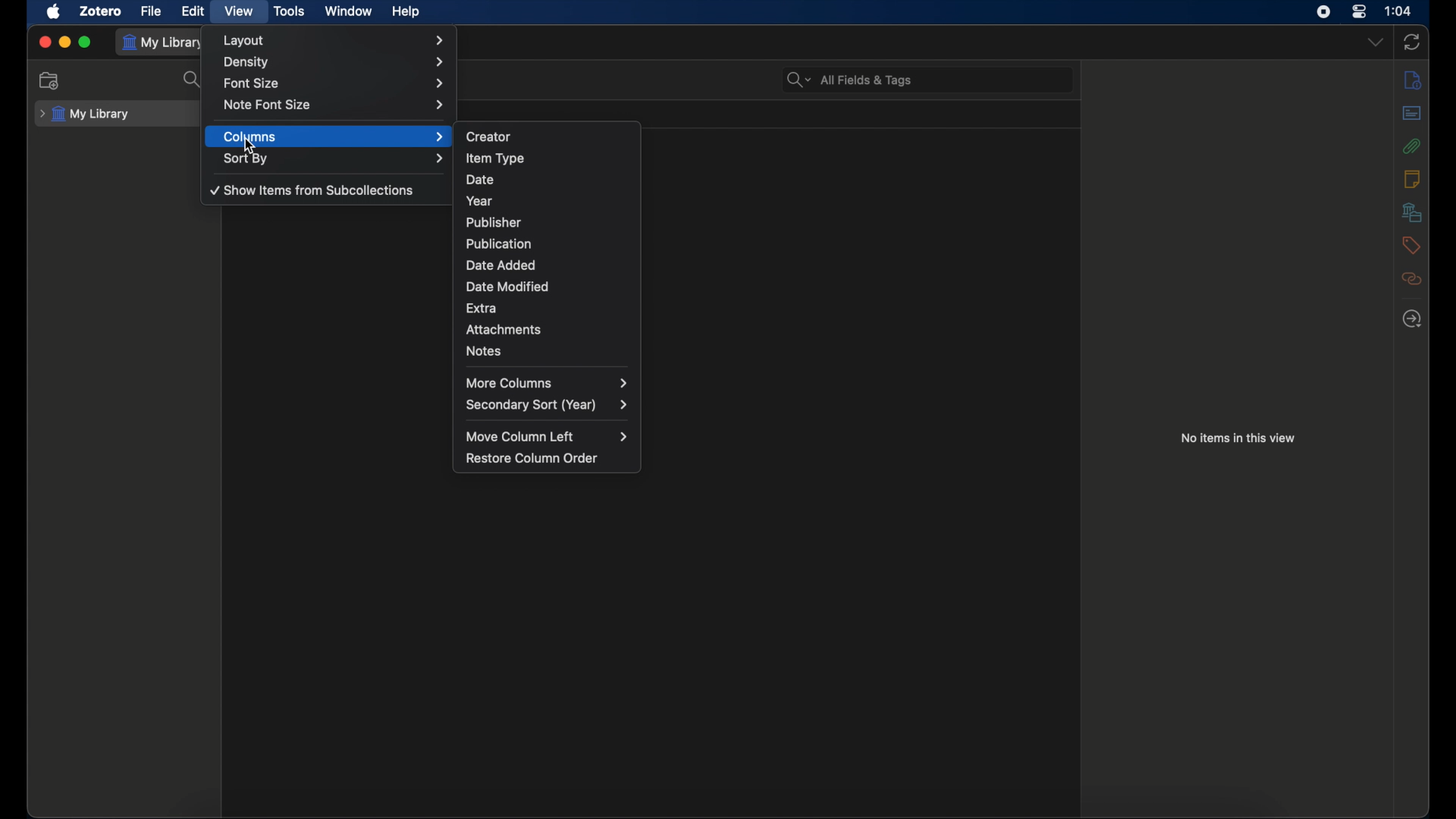  What do you see at coordinates (334, 136) in the screenshot?
I see `columns` at bounding box center [334, 136].